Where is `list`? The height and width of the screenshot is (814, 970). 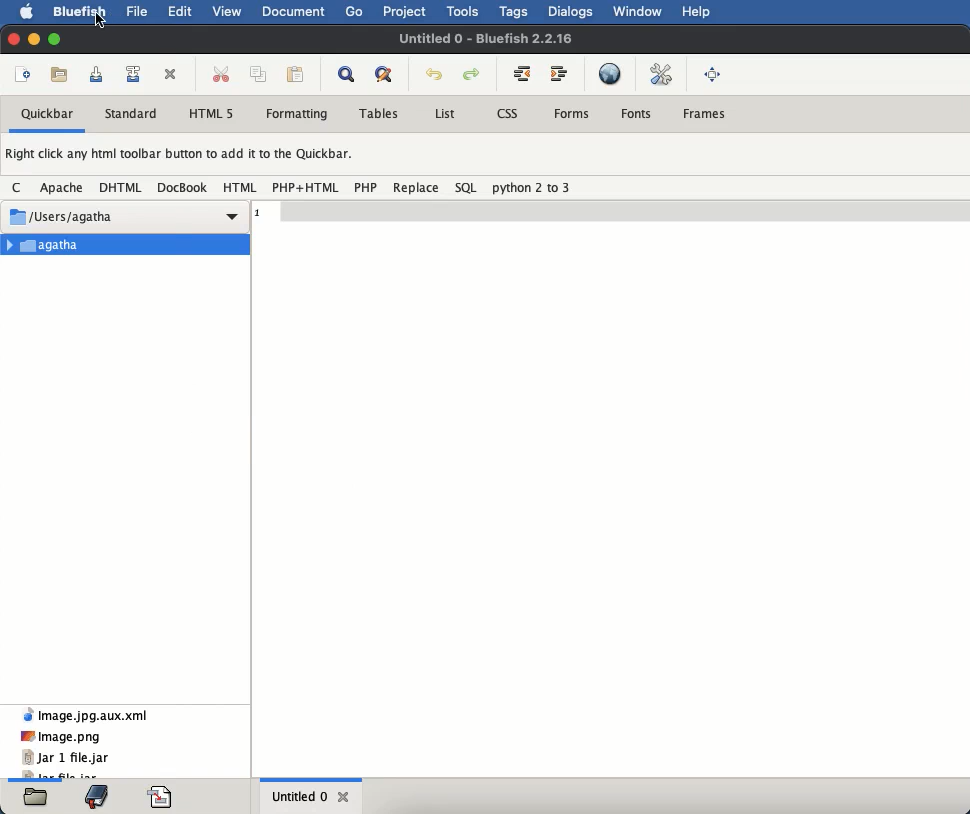 list is located at coordinates (444, 113).